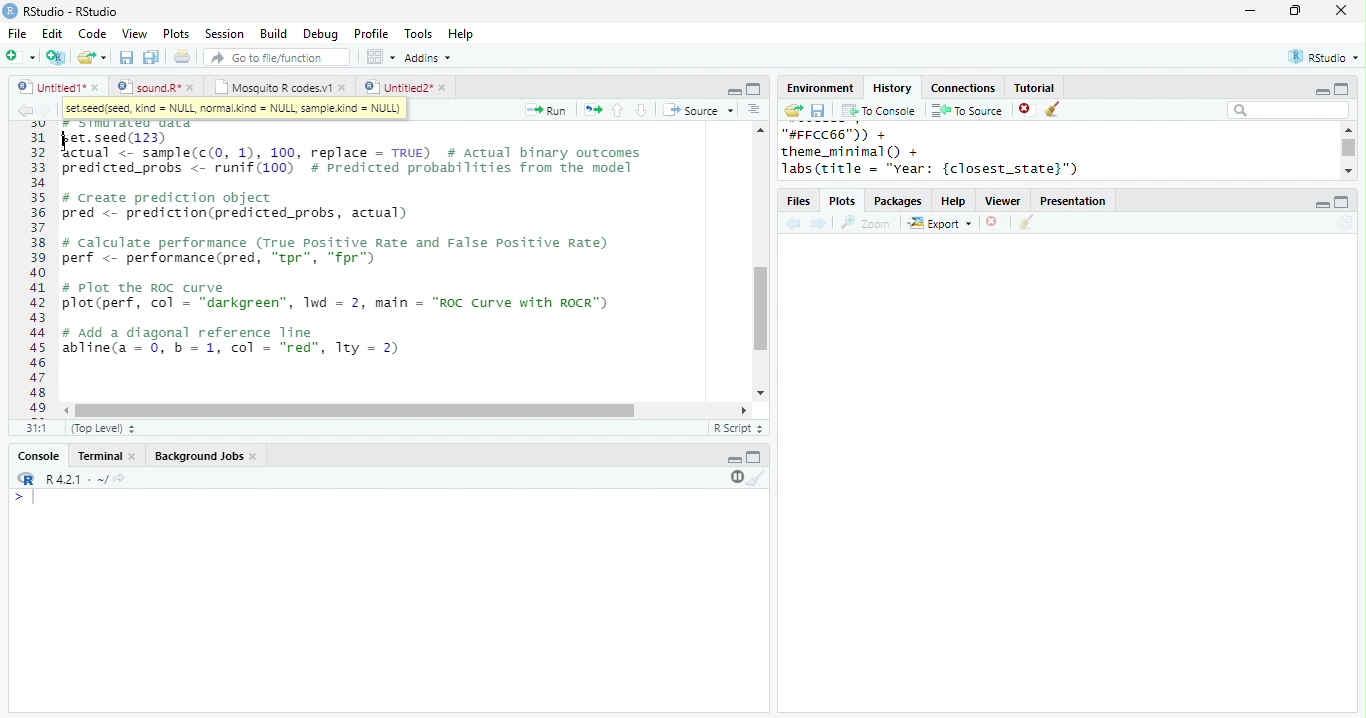 The width and height of the screenshot is (1366, 718). I want to click on simulated data set.seed(123) actual <- sample(c(0, 1), 100, replace = TRUE) # Actual binary outcomespredicted probs < runif(100) # Predicted probabilities from the model, so click(355, 148).